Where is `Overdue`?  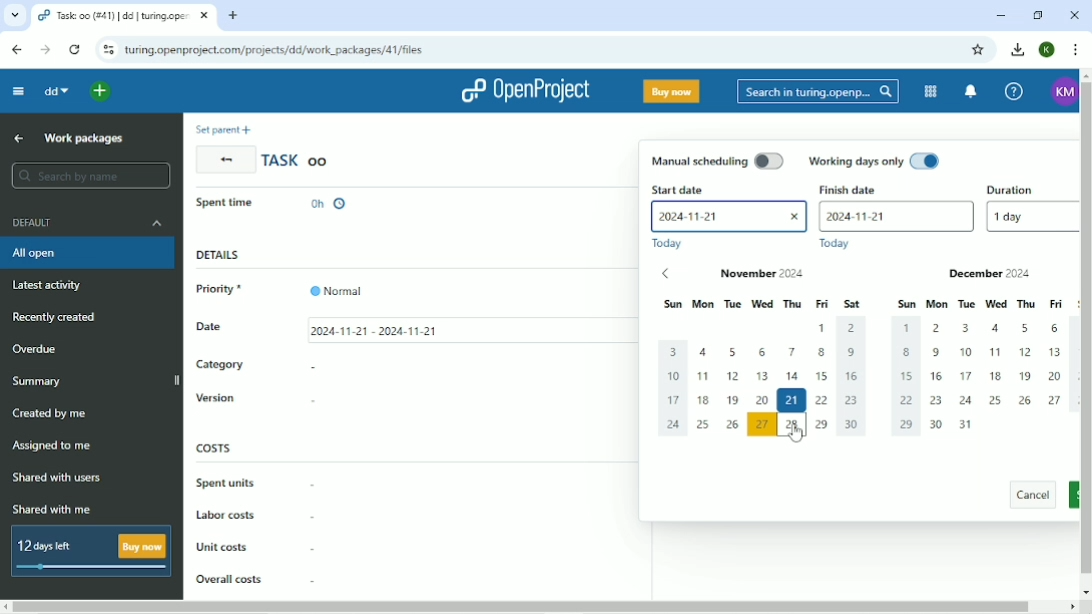 Overdue is located at coordinates (39, 348).